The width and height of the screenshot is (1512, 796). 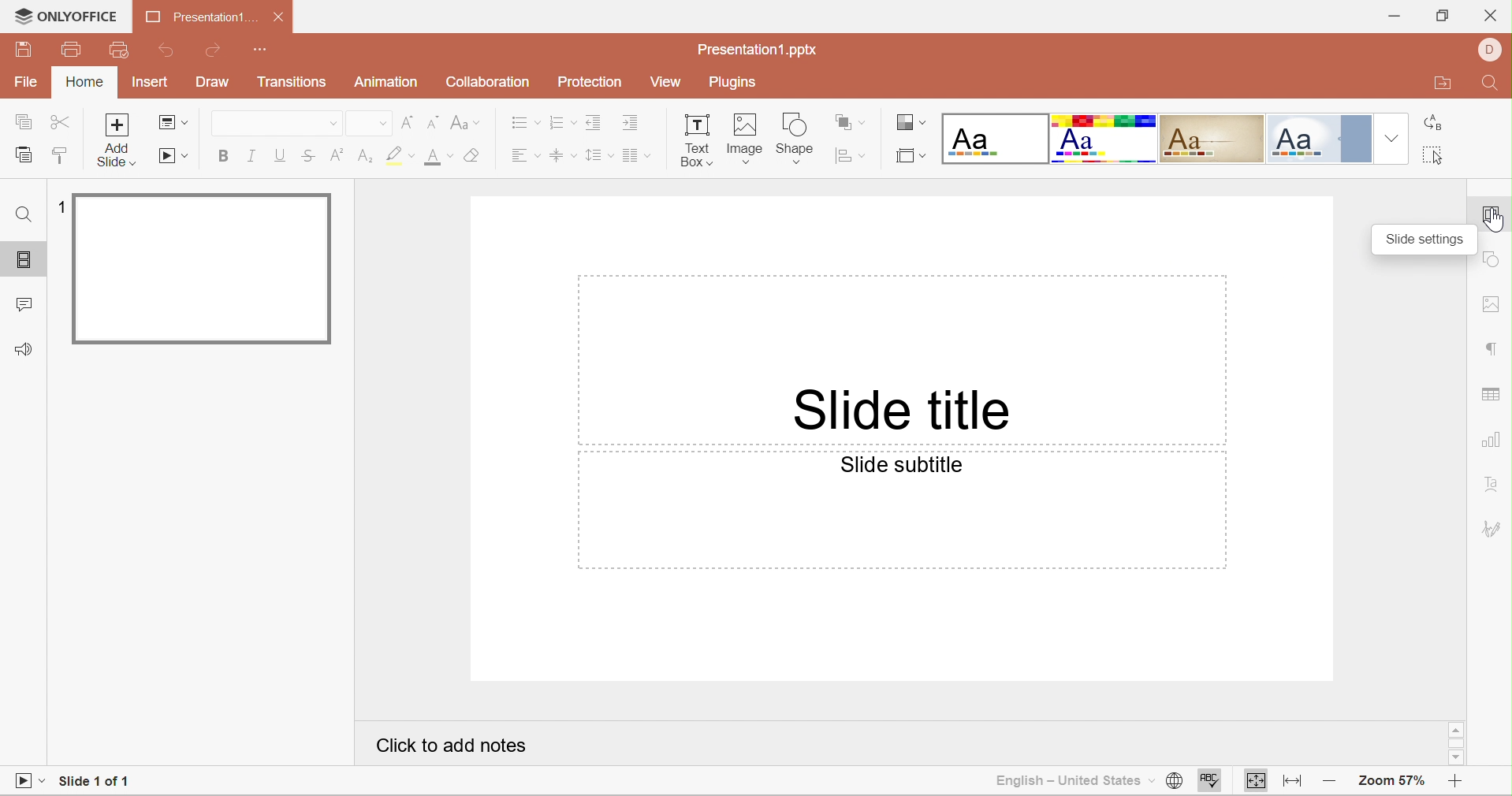 I want to click on Drop Down, so click(x=1391, y=136).